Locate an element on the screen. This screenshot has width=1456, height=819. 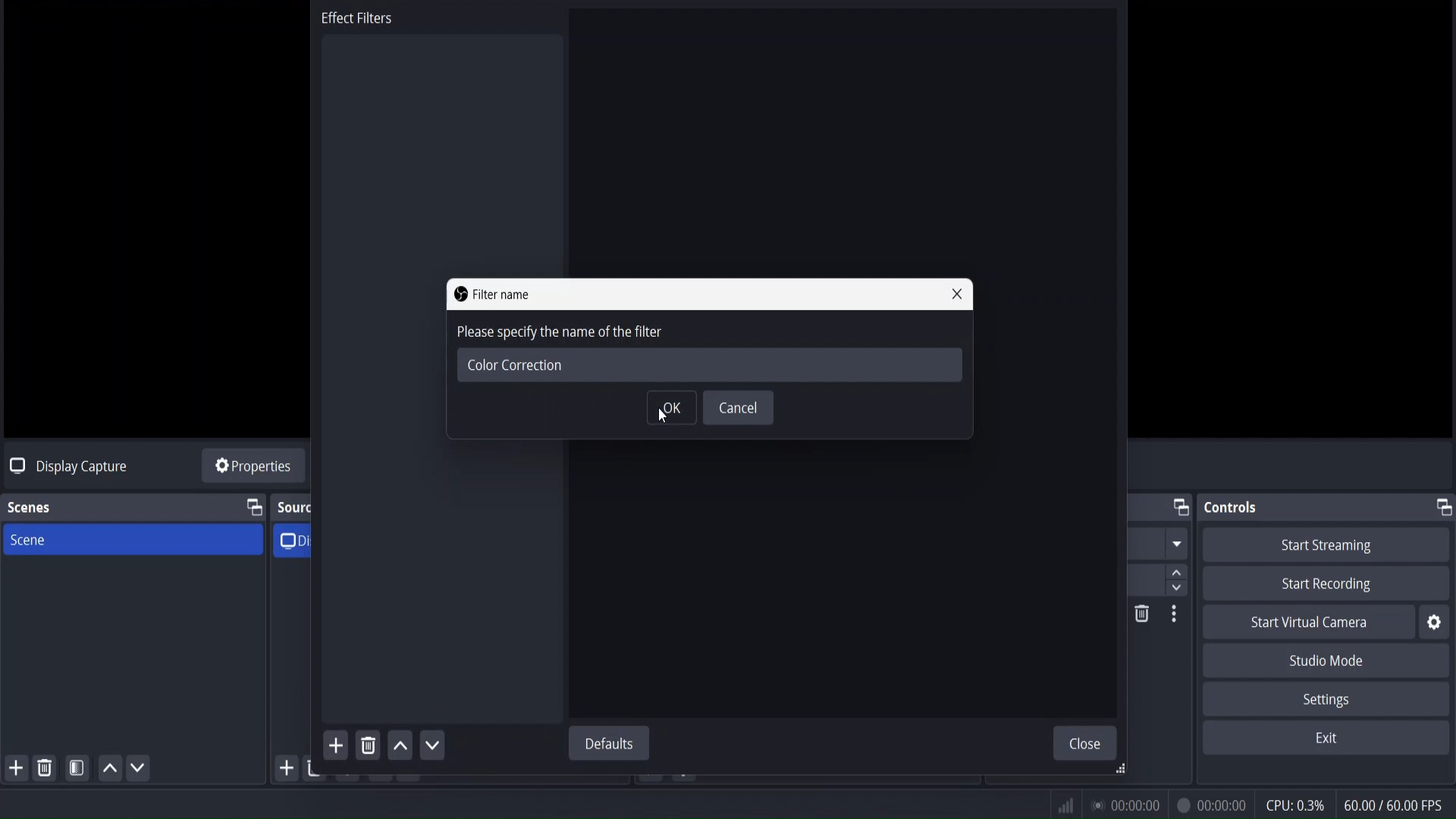
move scene down is located at coordinates (139, 770).